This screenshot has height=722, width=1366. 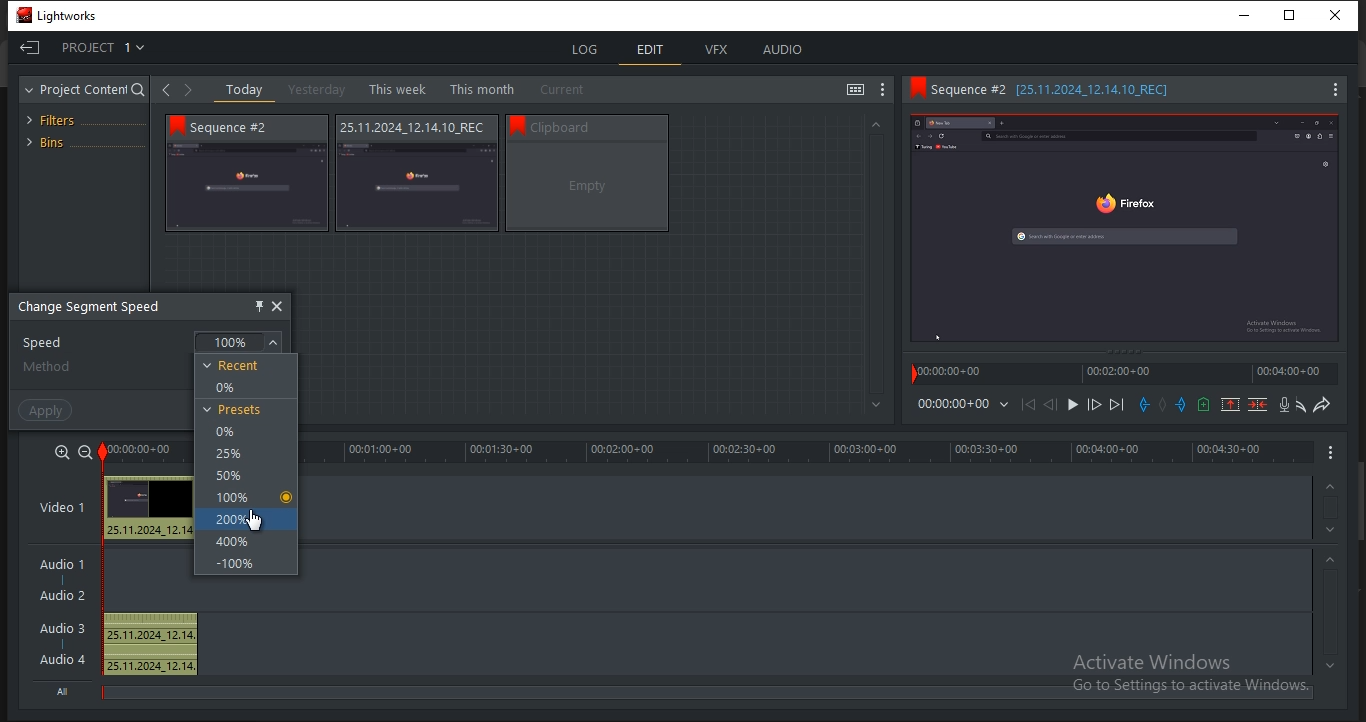 What do you see at coordinates (47, 409) in the screenshot?
I see `apply` at bounding box center [47, 409].